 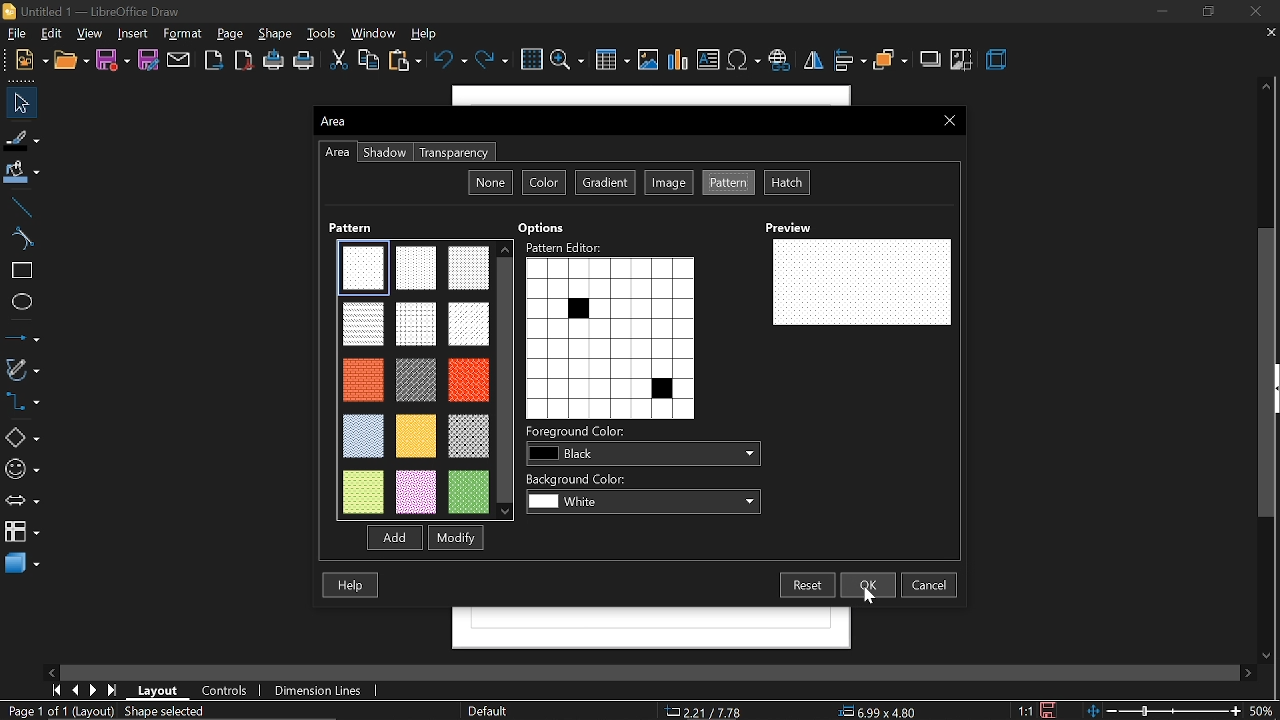 I want to click on align, so click(x=850, y=62).